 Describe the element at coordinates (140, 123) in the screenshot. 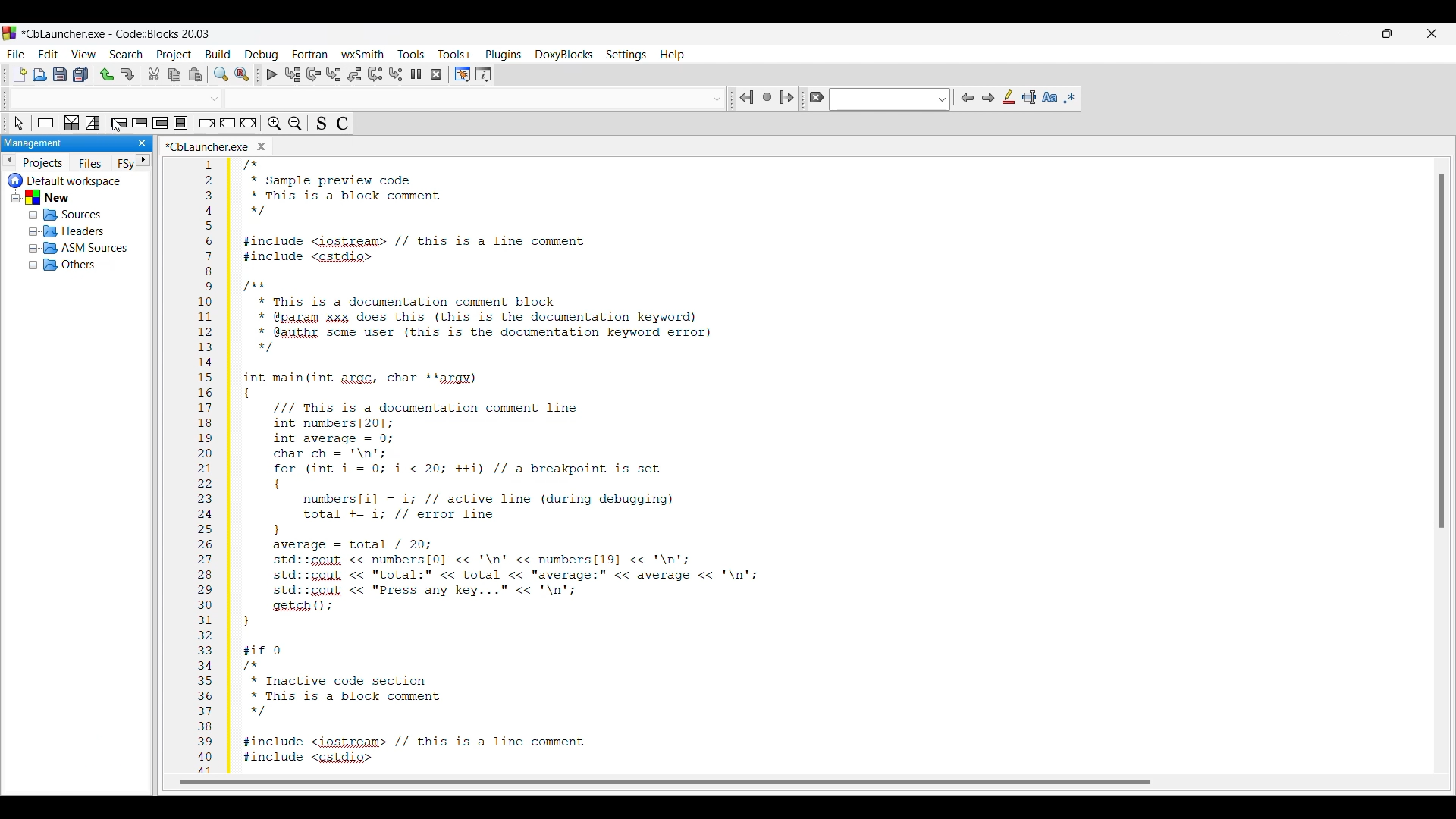

I see `Exit condition loop` at that location.